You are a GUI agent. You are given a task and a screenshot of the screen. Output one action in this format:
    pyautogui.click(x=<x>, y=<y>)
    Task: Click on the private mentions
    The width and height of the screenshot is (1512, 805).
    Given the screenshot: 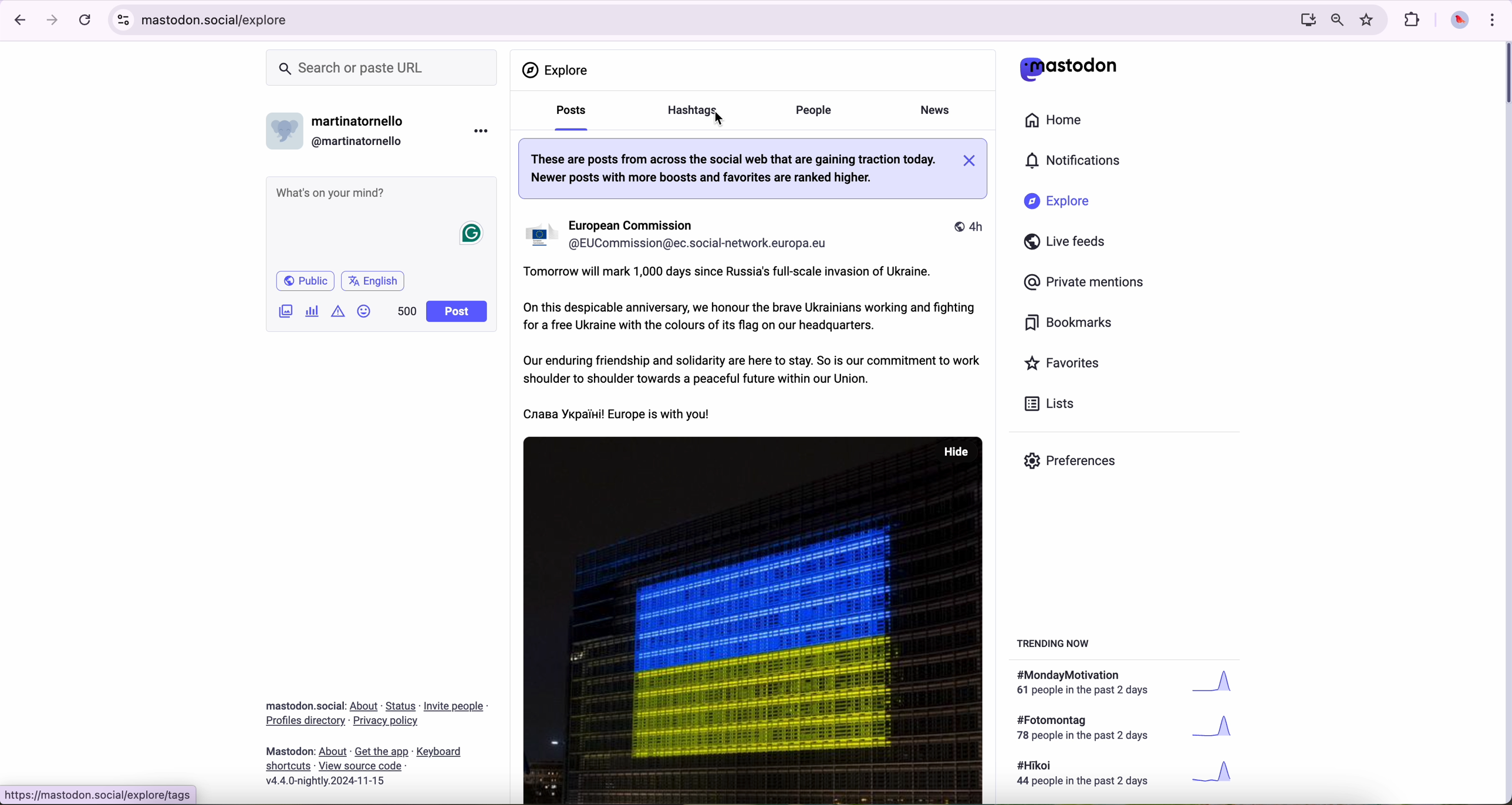 What is the action you would take?
    pyautogui.click(x=1088, y=284)
    